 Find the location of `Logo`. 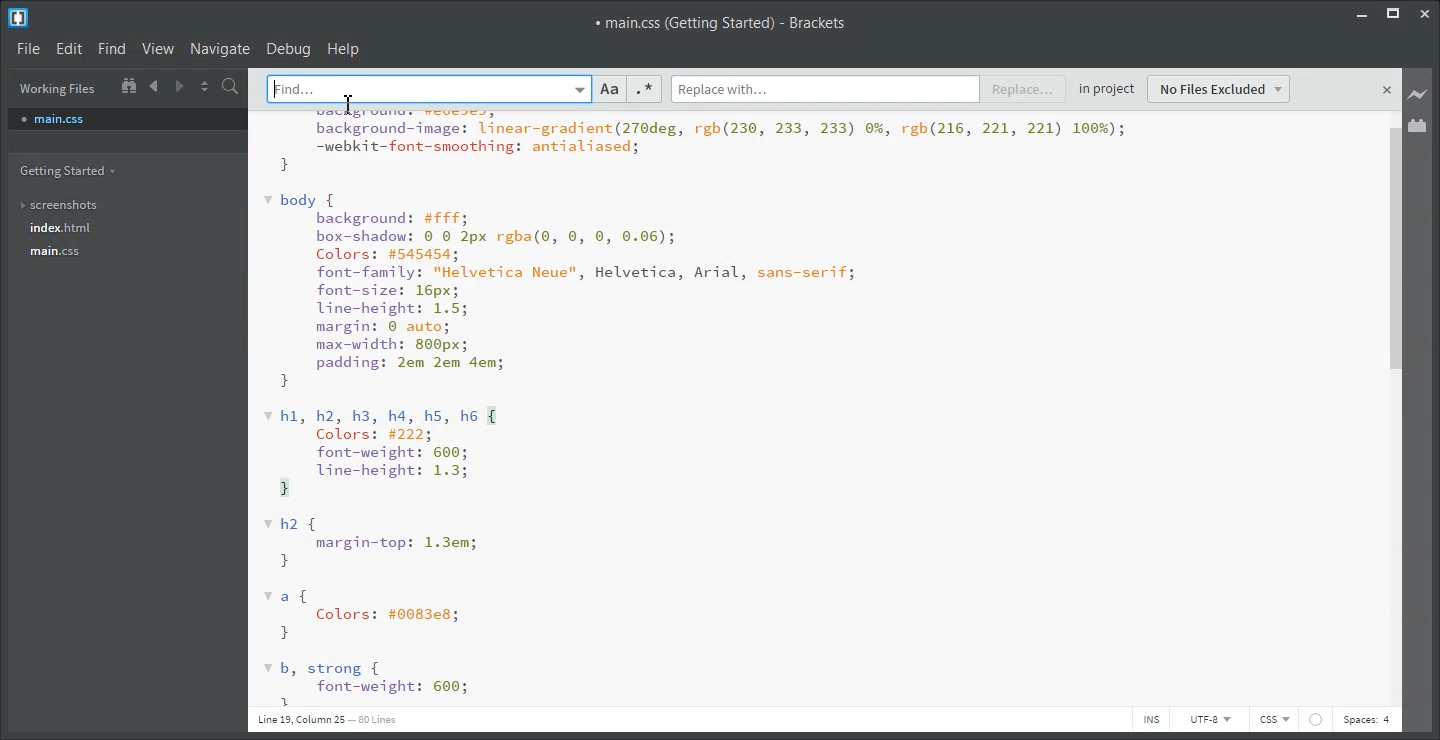

Logo is located at coordinates (20, 17).